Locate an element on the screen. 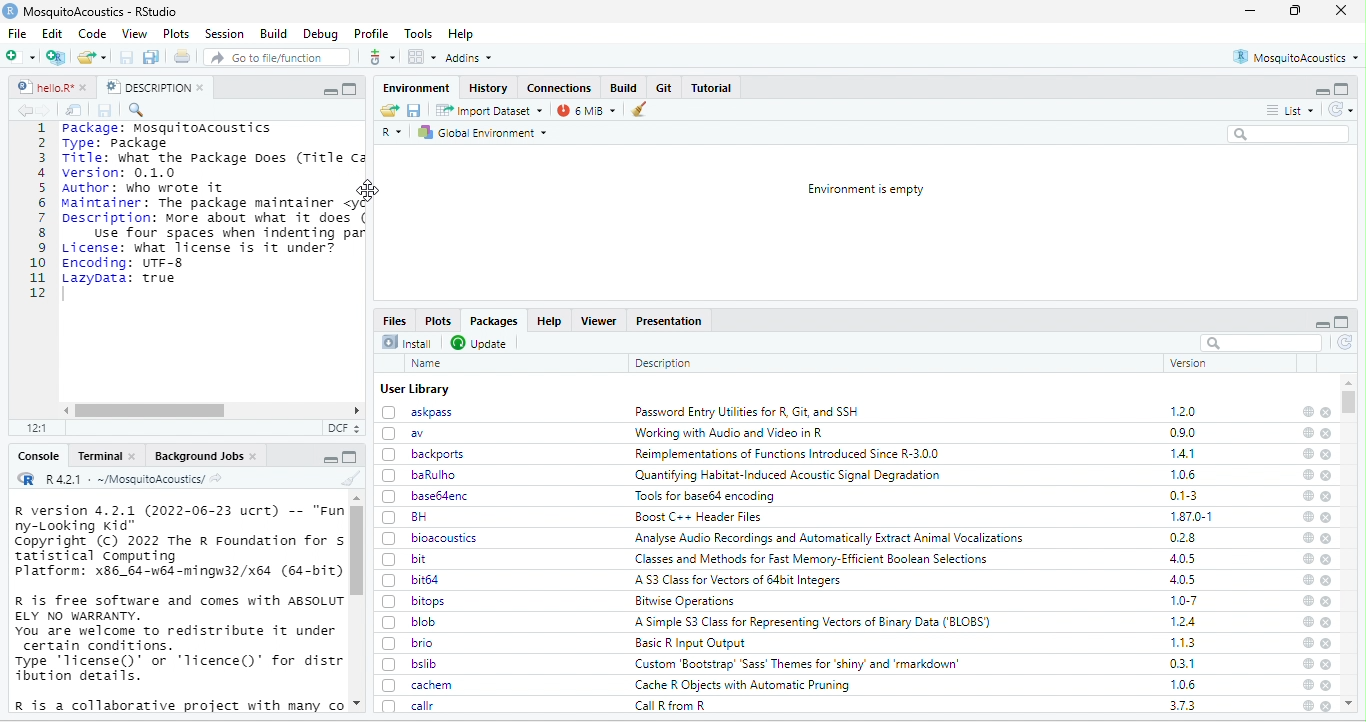 This screenshot has height=722, width=1366. full screen is located at coordinates (1342, 322).